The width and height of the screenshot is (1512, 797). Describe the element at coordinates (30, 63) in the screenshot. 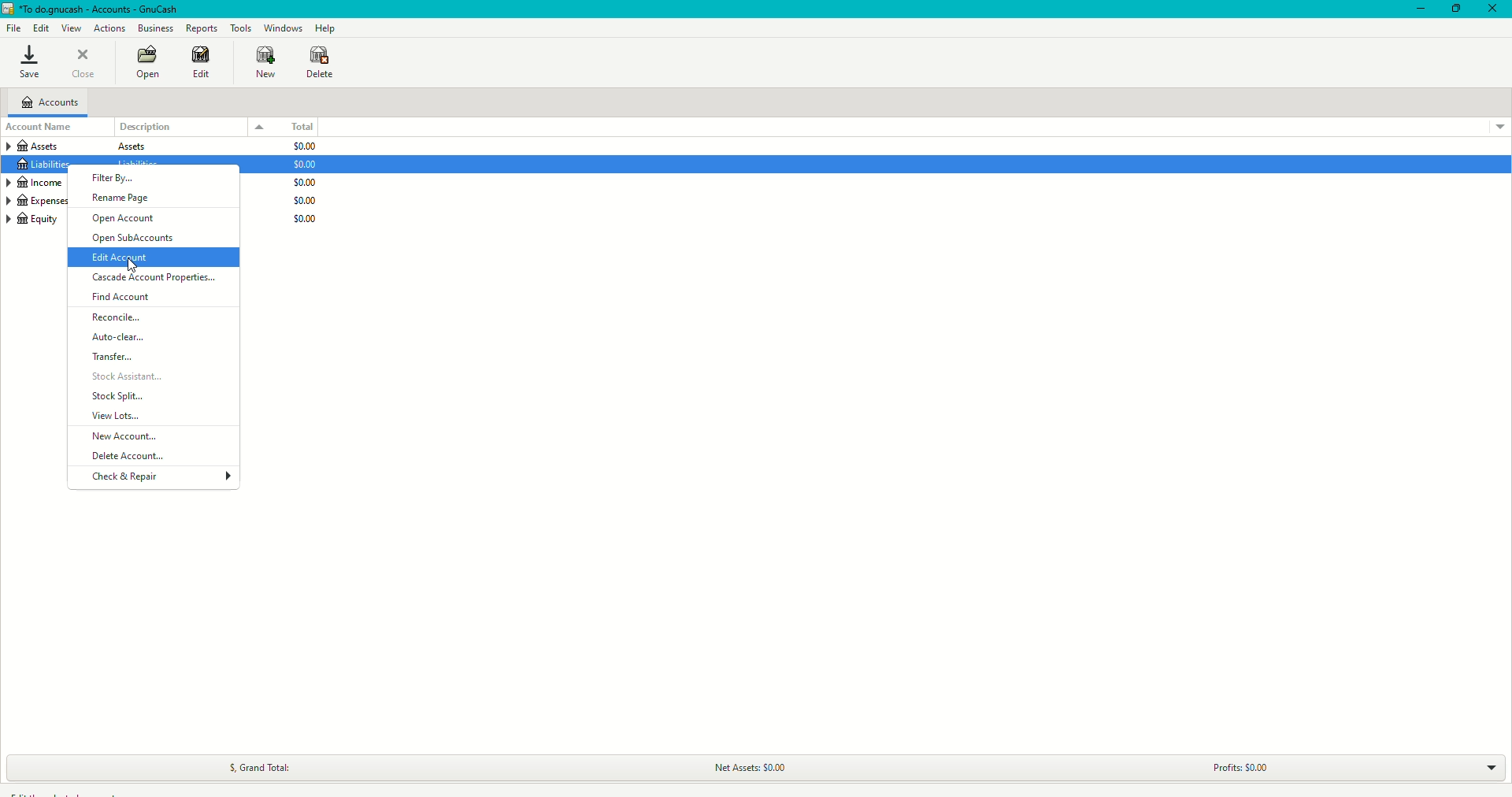

I see `Save` at that location.